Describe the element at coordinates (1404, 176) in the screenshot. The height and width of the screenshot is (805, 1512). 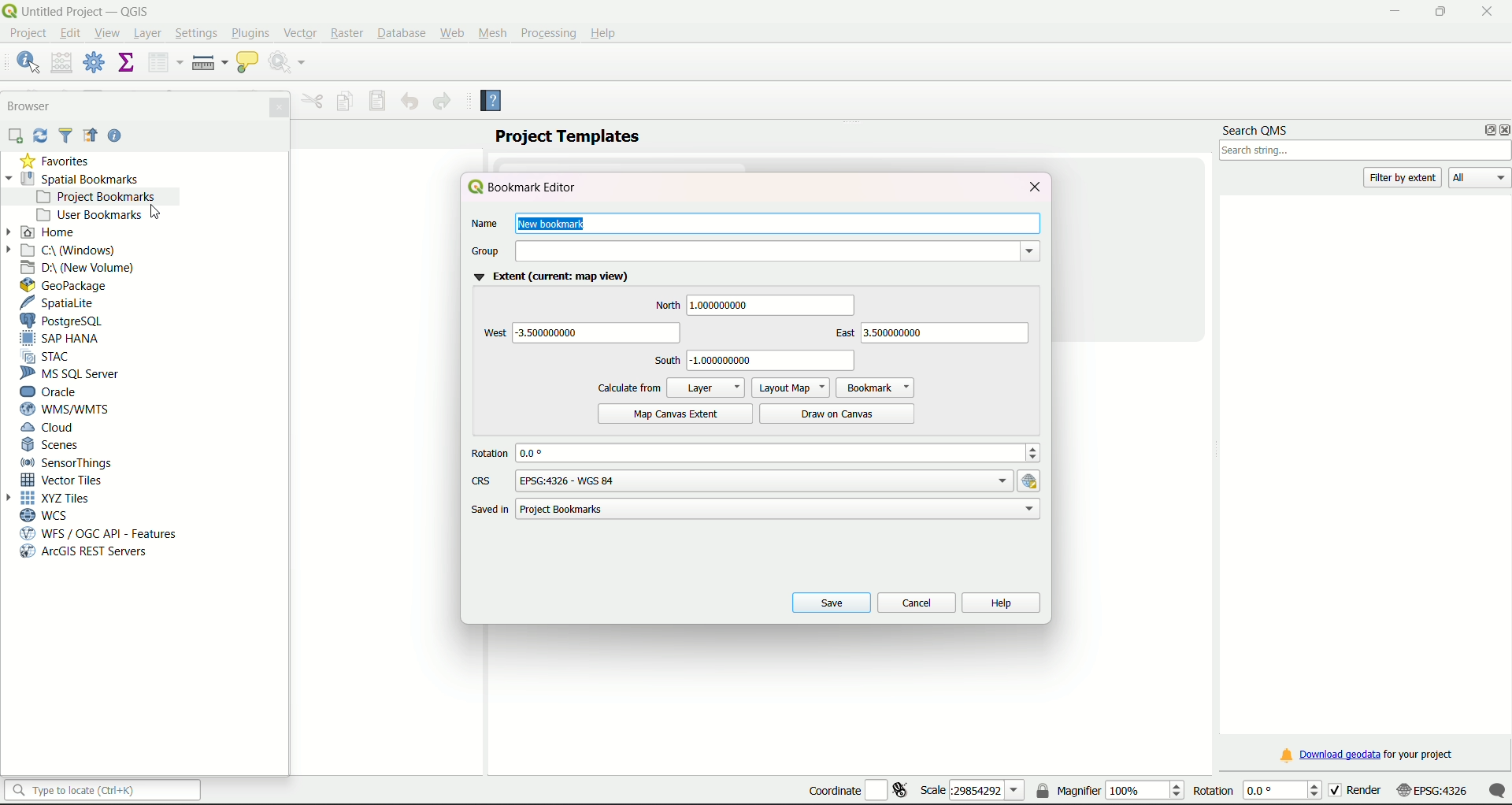
I see `filter by extent` at that location.